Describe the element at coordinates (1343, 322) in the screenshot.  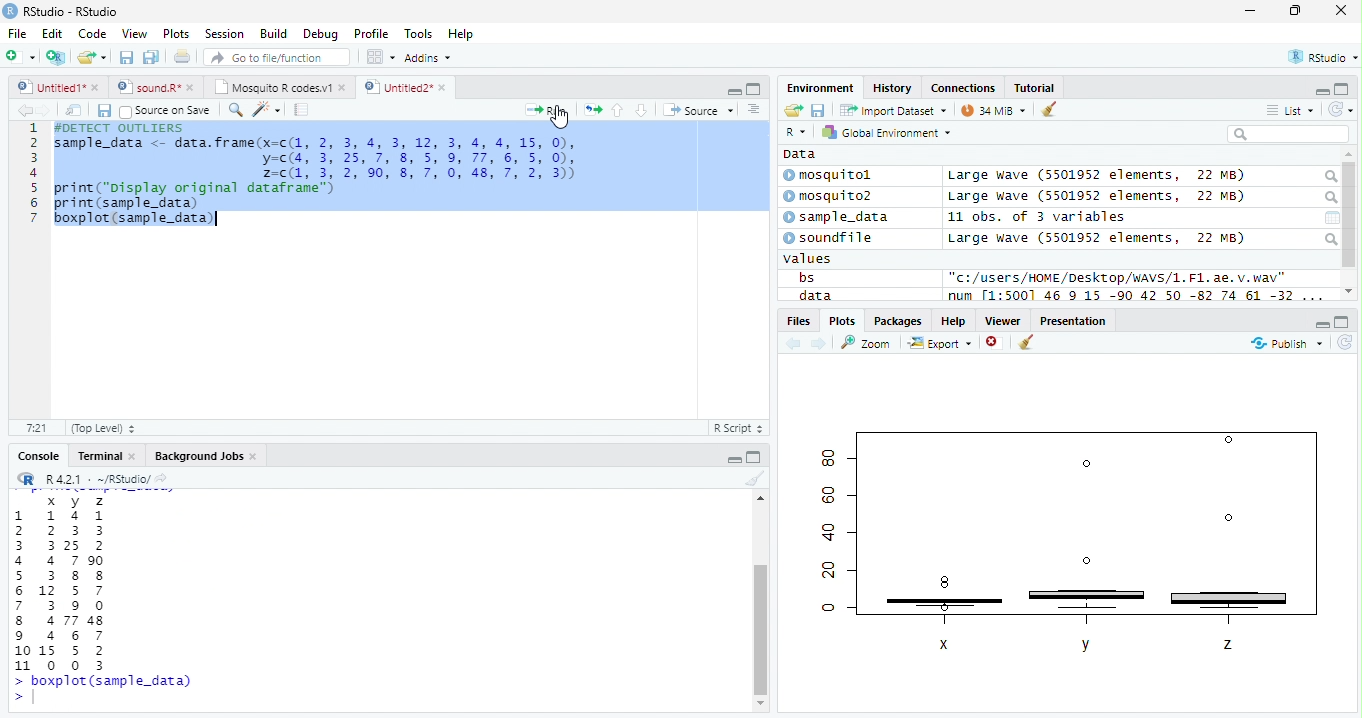
I see `full screen` at that location.